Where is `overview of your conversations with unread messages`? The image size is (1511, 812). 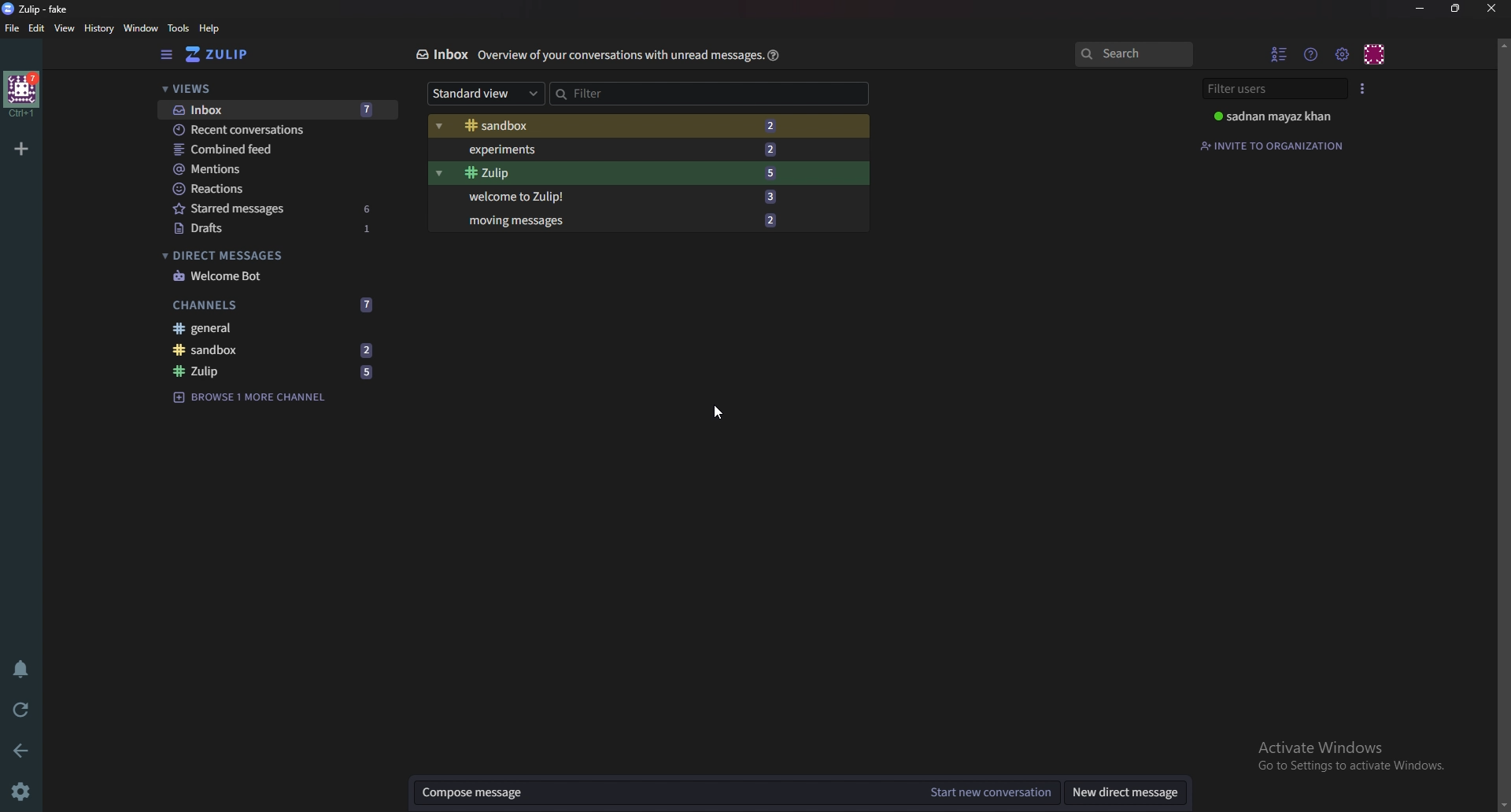
overview of your conversations with unread messages is located at coordinates (616, 57).